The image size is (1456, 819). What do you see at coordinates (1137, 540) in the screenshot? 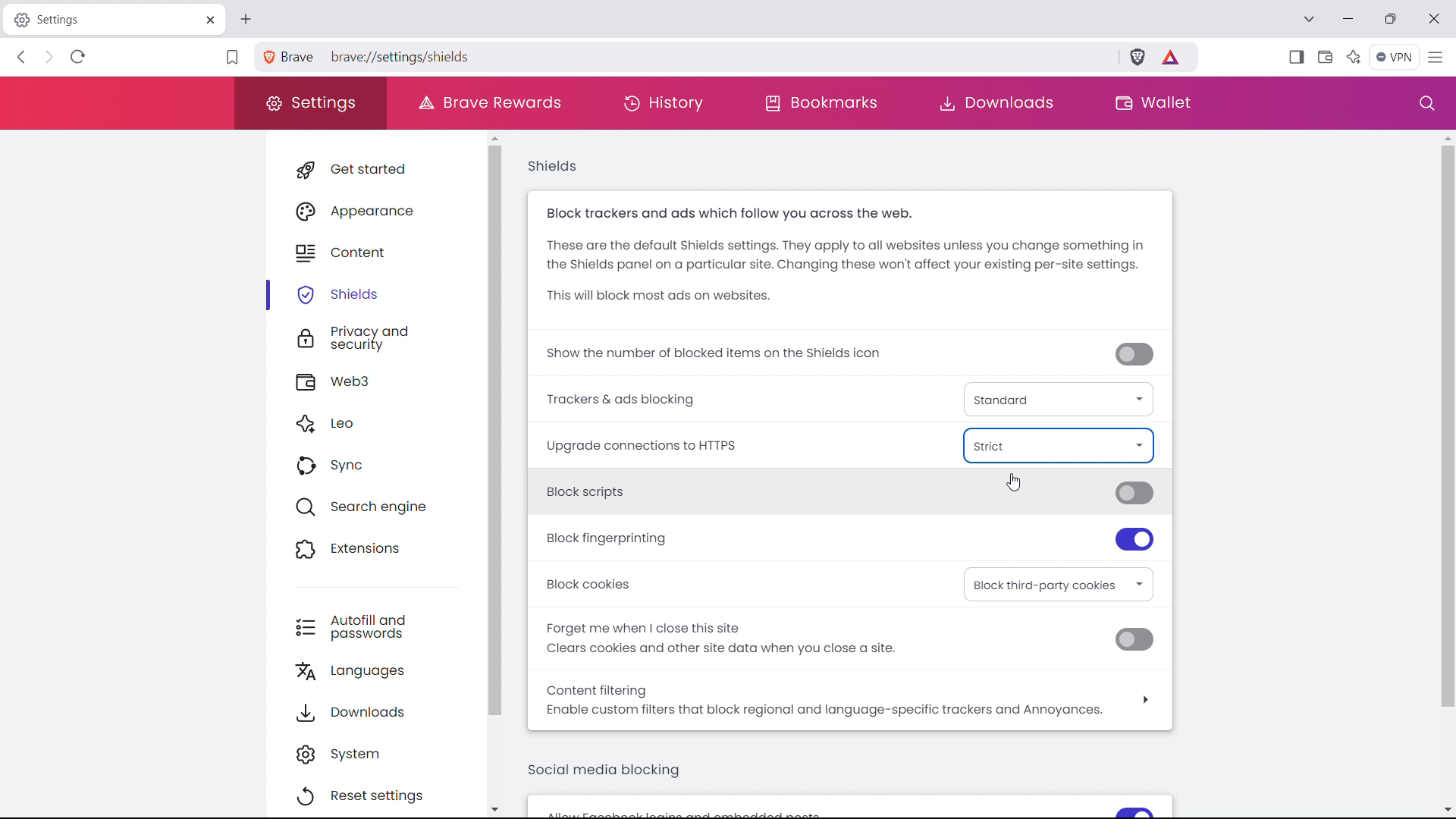
I see `toggle on` at bounding box center [1137, 540].